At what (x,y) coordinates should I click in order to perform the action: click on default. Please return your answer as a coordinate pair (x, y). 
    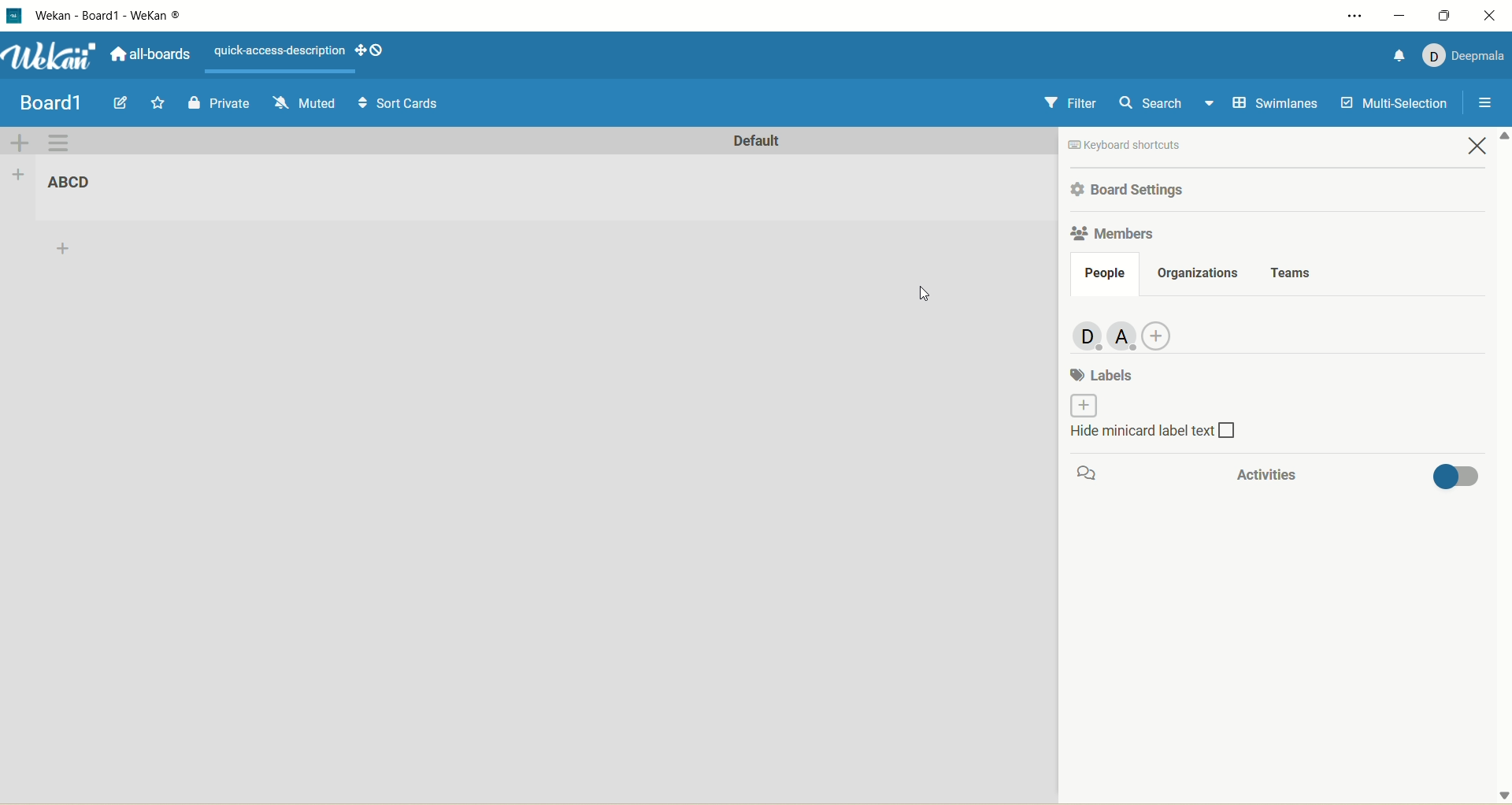
    Looking at the image, I should click on (755, 143).